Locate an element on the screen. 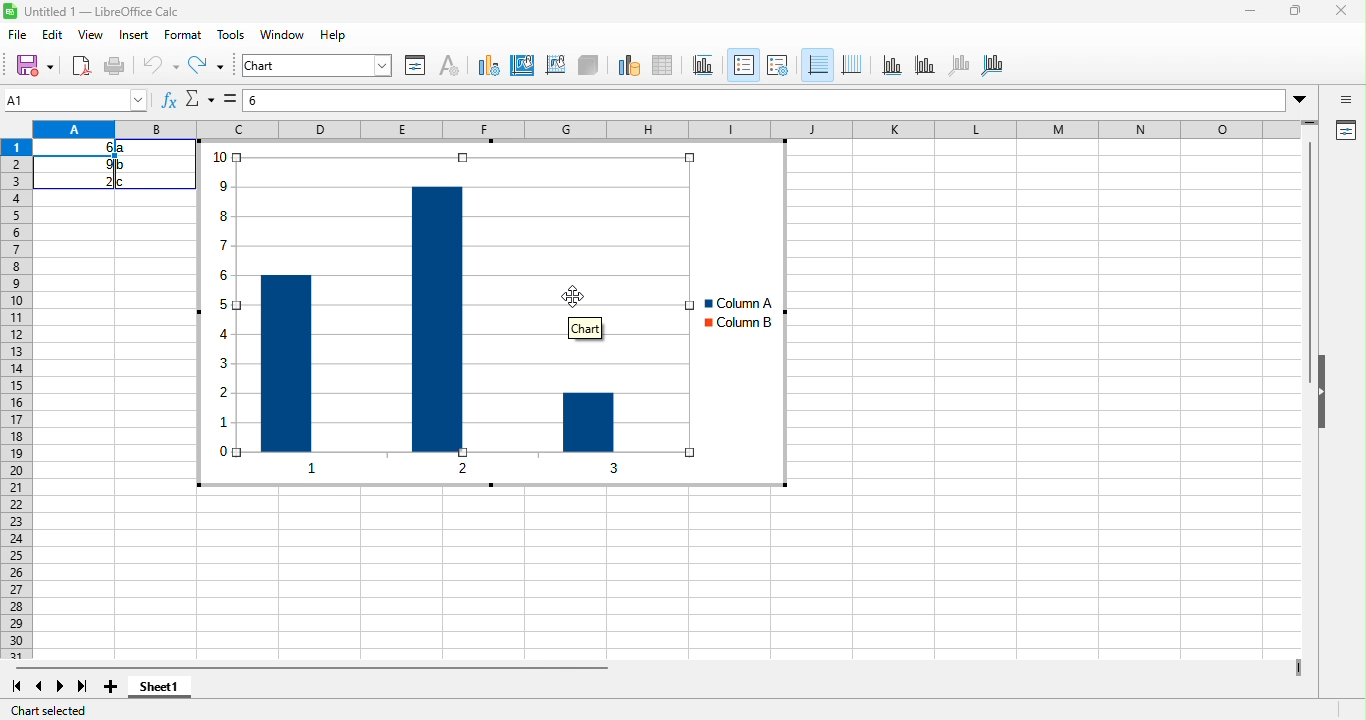 The height and width of the screenshot is (720, 1366). view is located at coordinates (91, 35).